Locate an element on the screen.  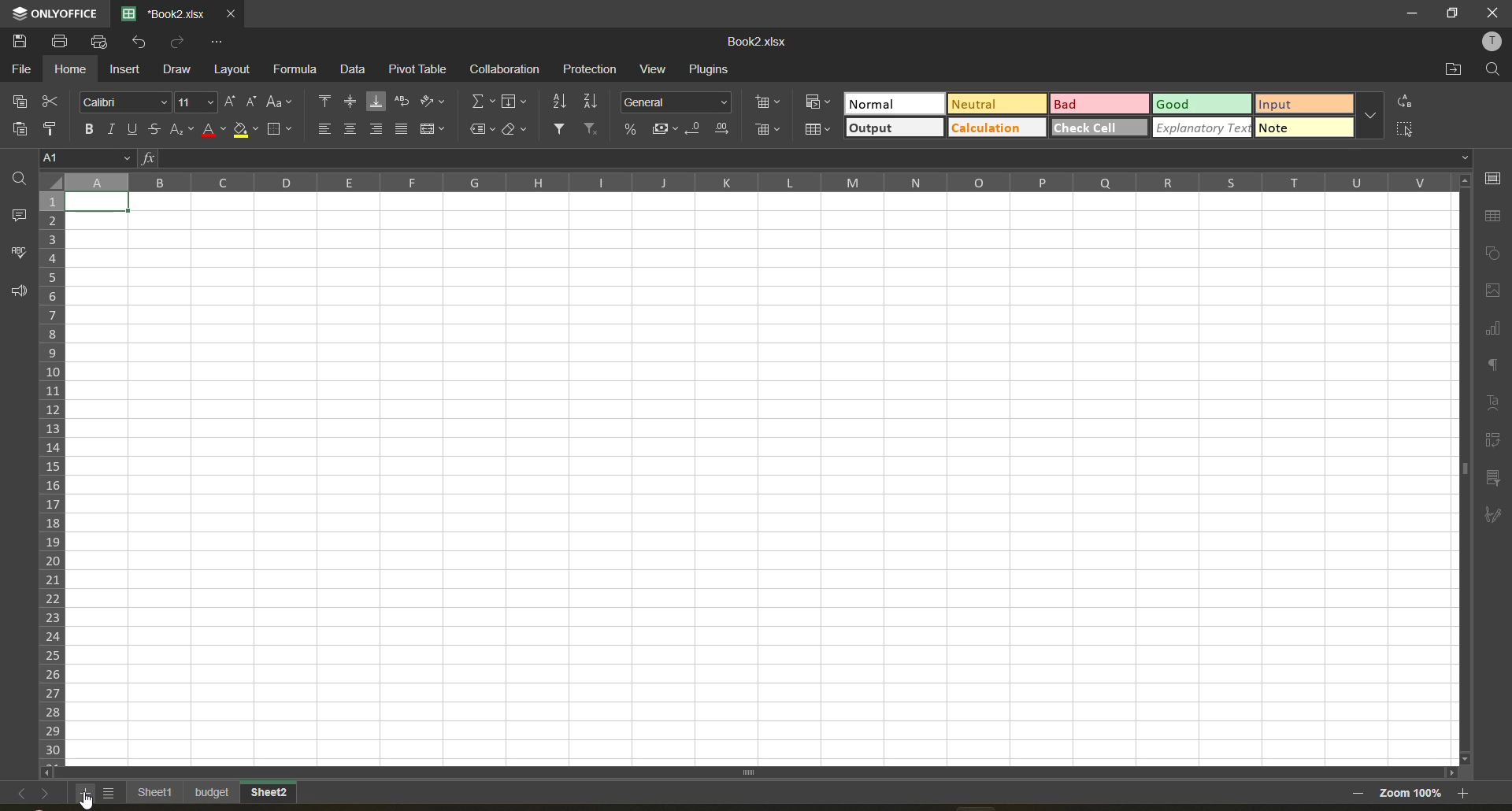
align bottom is located at coordinates (380, 102).